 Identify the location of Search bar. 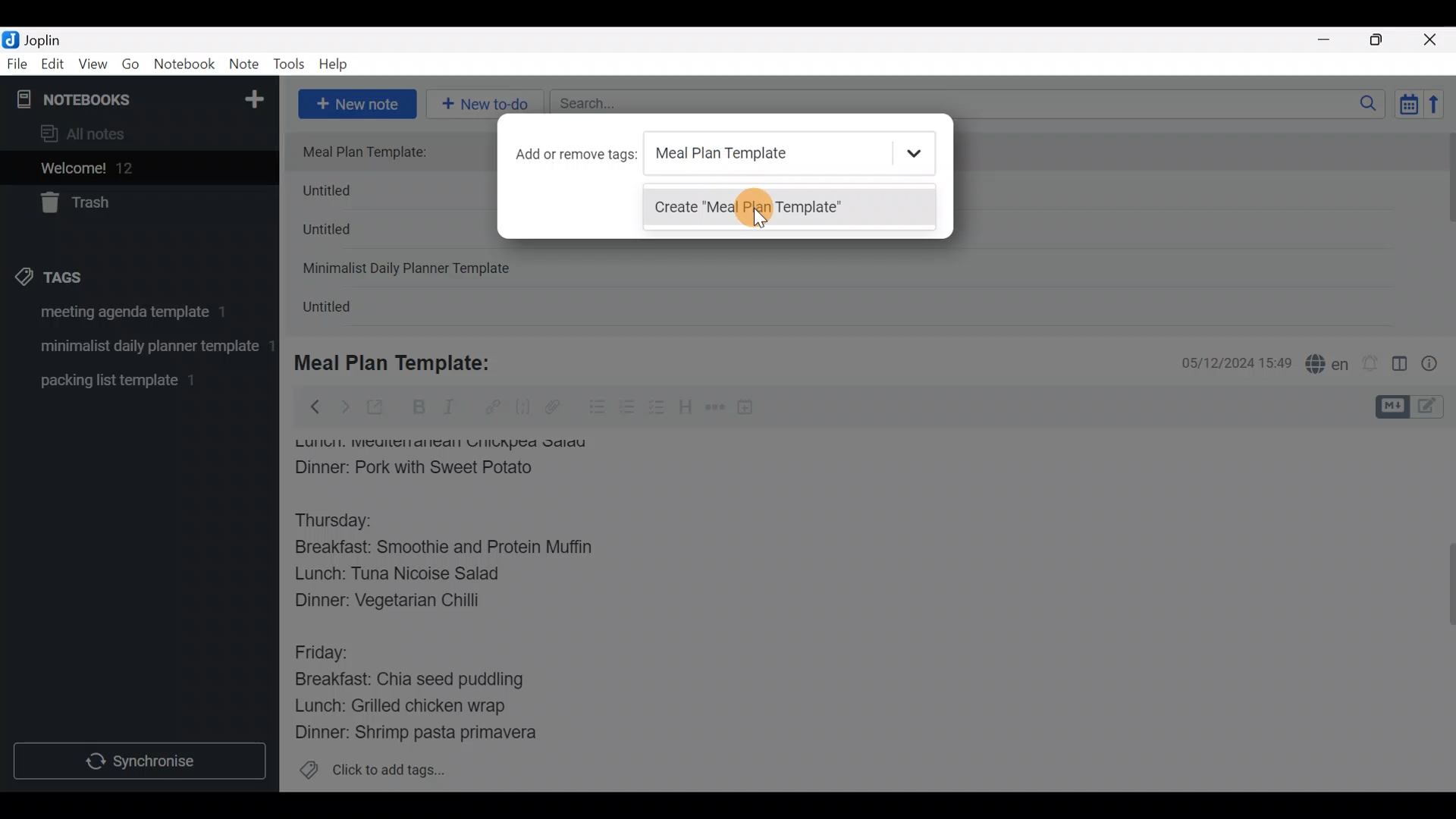
(971, 102).